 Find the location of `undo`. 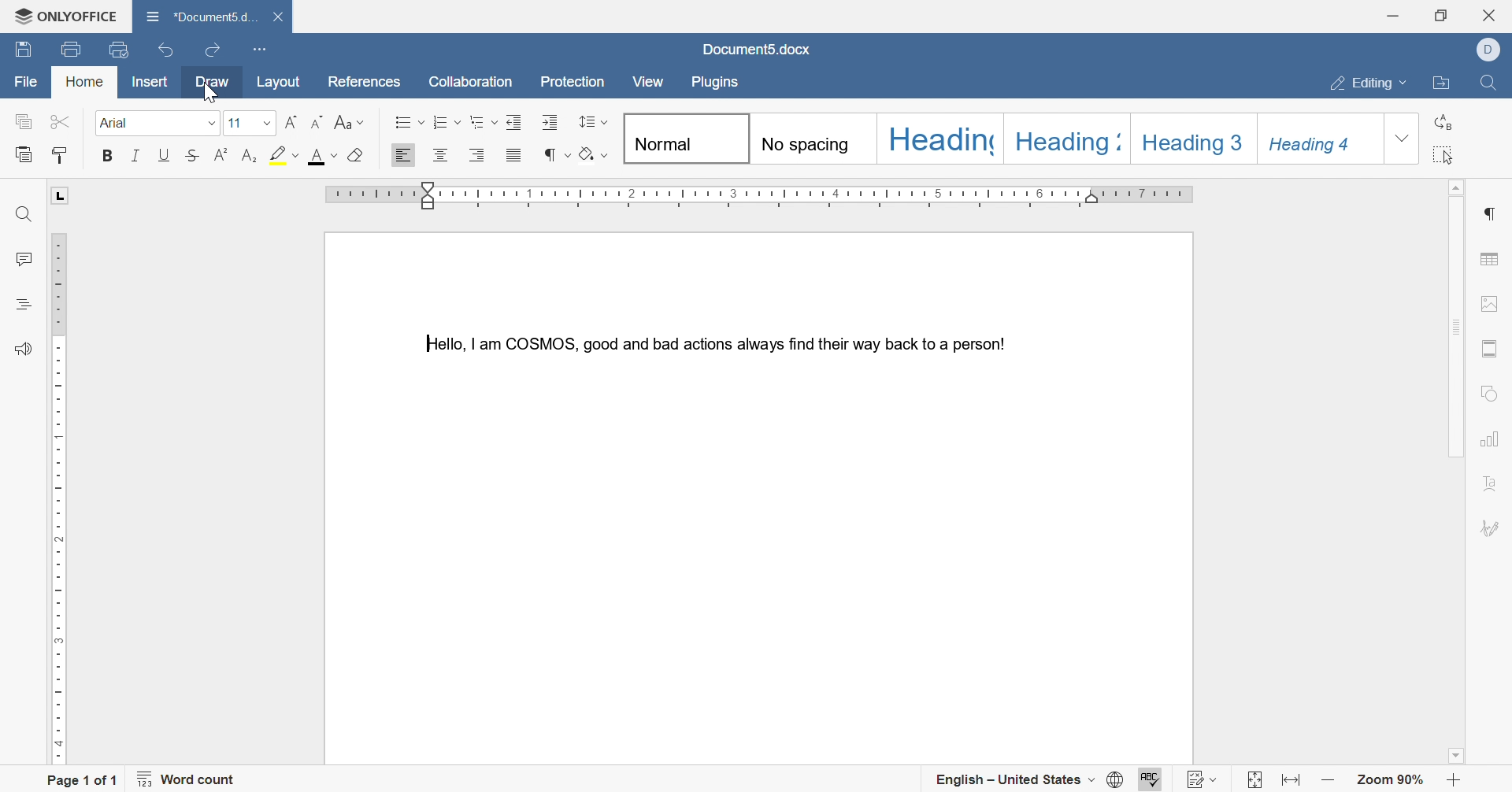

undo is located at coordinates (161, 52).